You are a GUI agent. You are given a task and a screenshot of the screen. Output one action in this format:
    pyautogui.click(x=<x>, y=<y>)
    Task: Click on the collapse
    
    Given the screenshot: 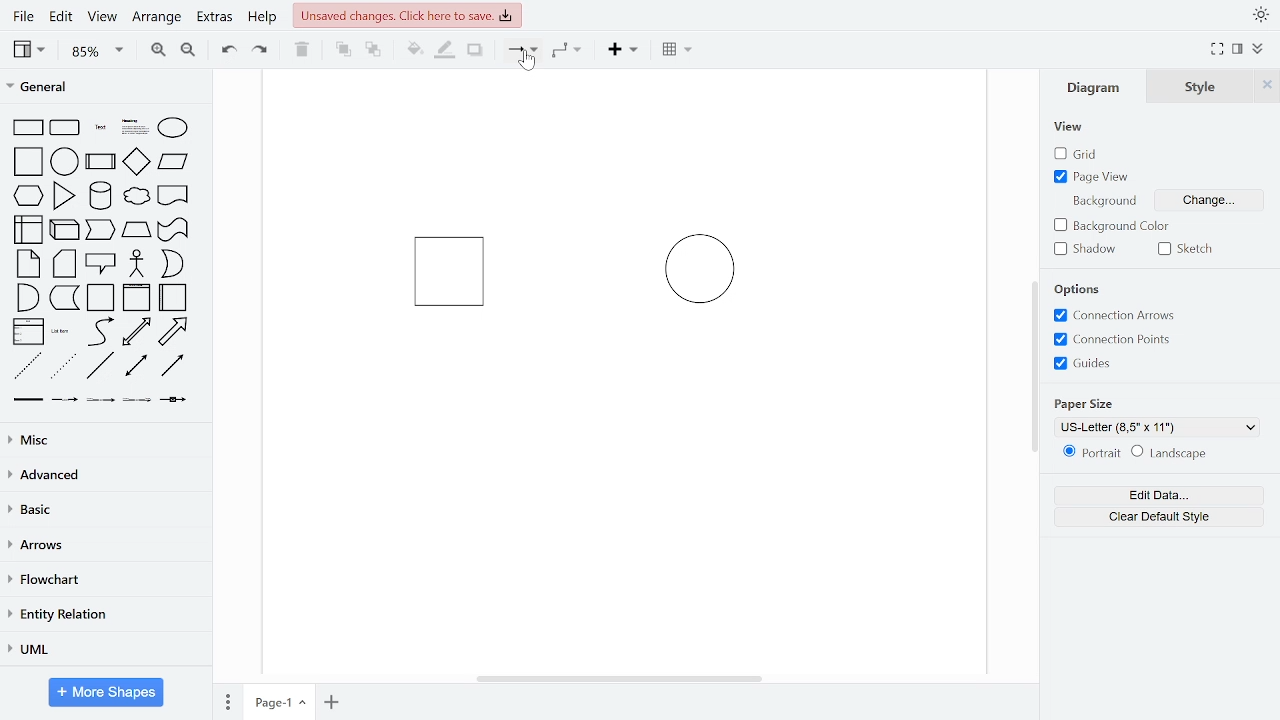 What is the action you would take?
    pyautogui.click(x=1260, y=50)
    